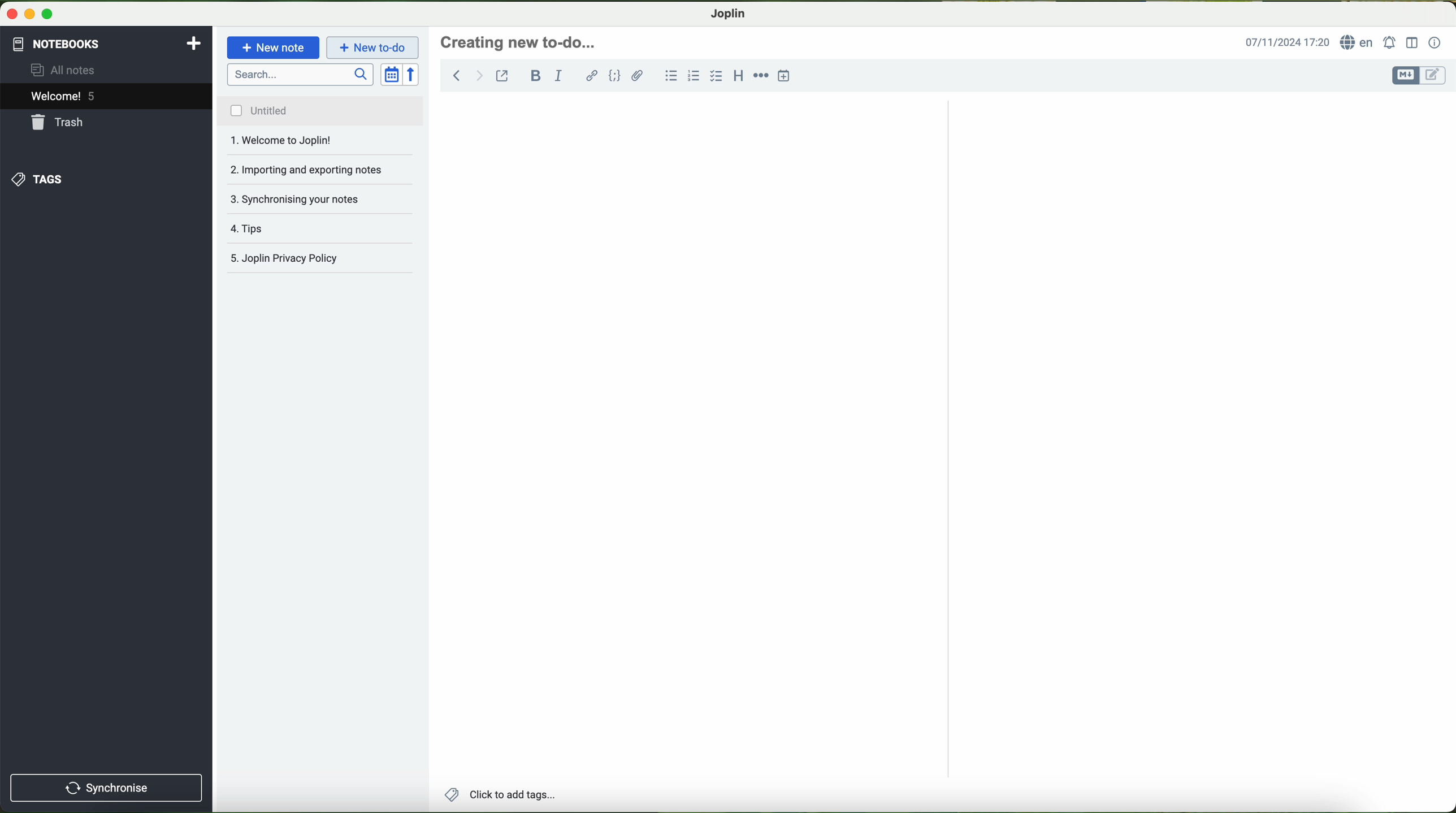  What do you see at coordinates (638, 75) in the screenshot?
I see `attach file` at bounding box center [638, 75].